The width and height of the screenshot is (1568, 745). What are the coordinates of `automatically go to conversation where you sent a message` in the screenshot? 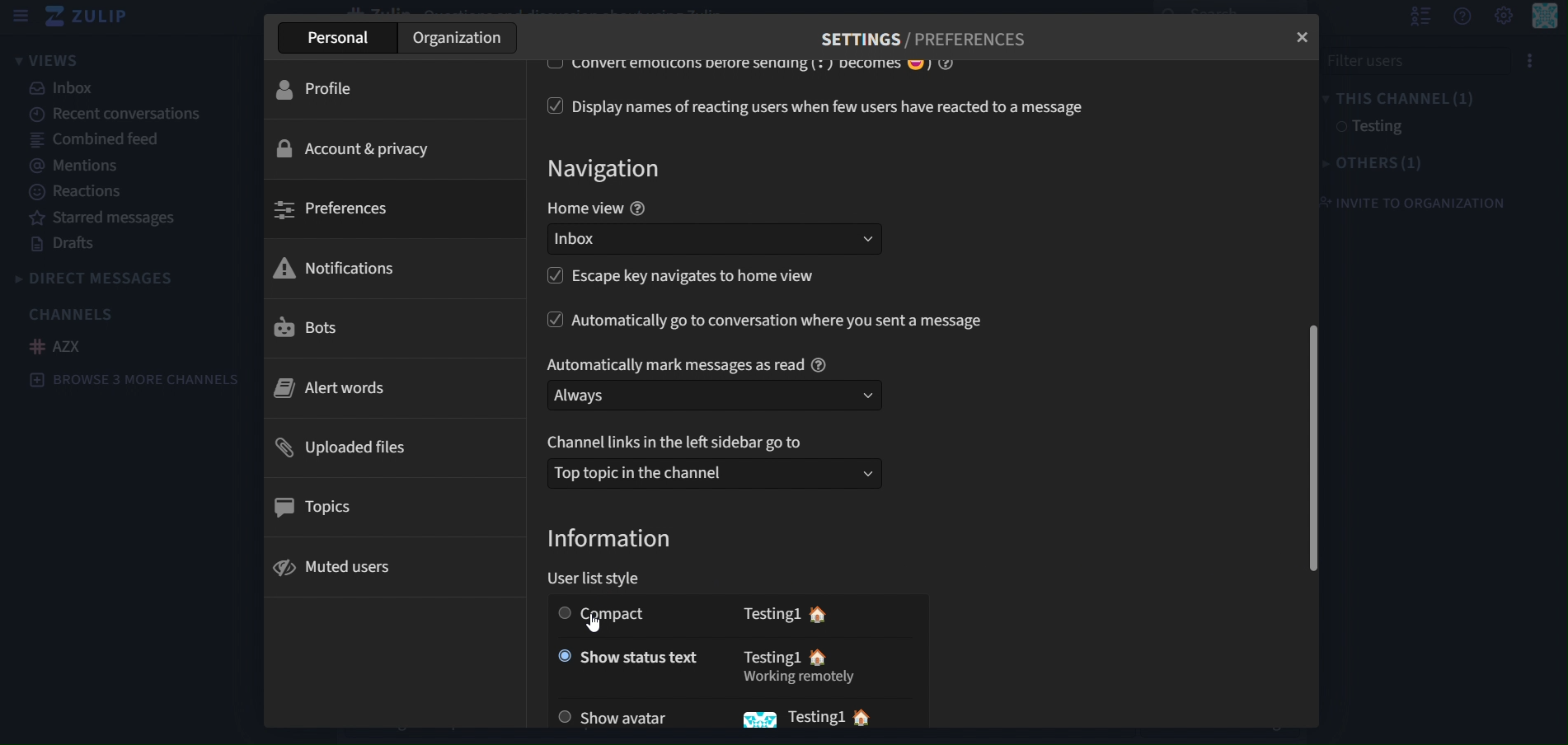 It's located at (781, 321).